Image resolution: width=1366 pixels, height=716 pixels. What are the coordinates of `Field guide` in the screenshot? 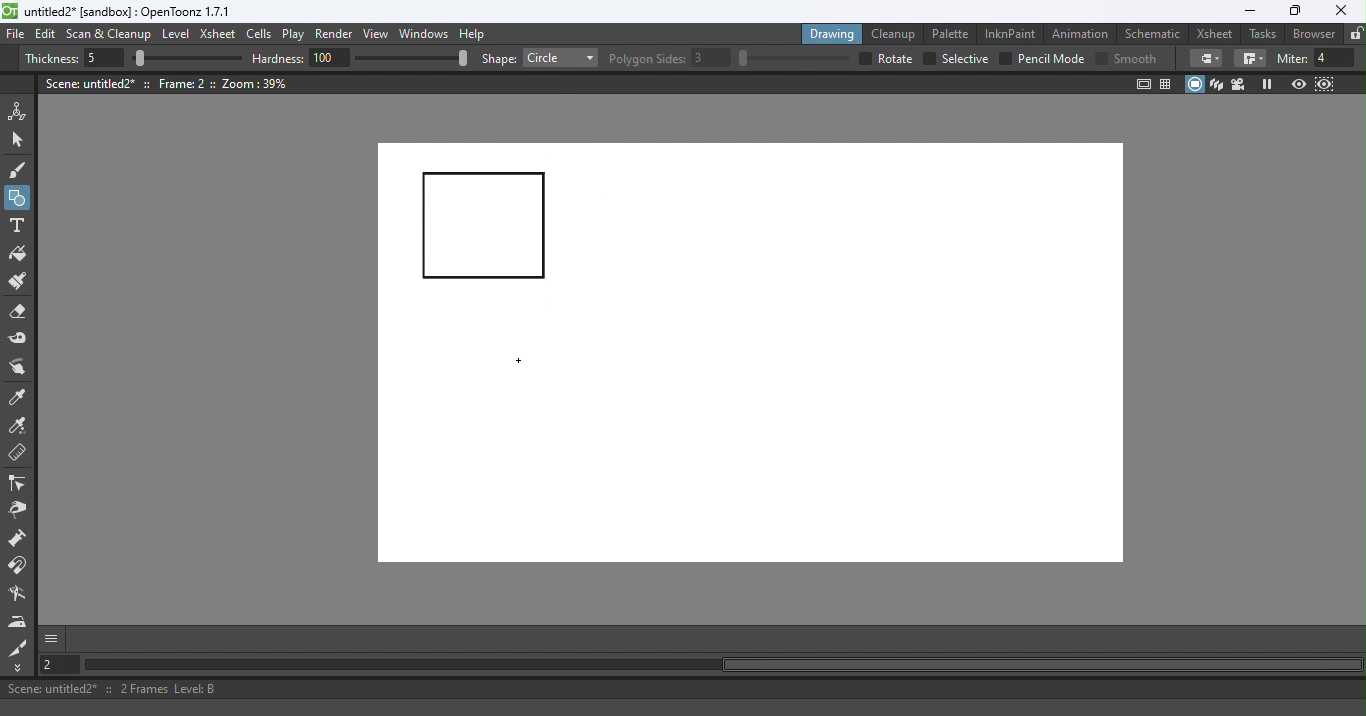 It's located at (1169, 83).